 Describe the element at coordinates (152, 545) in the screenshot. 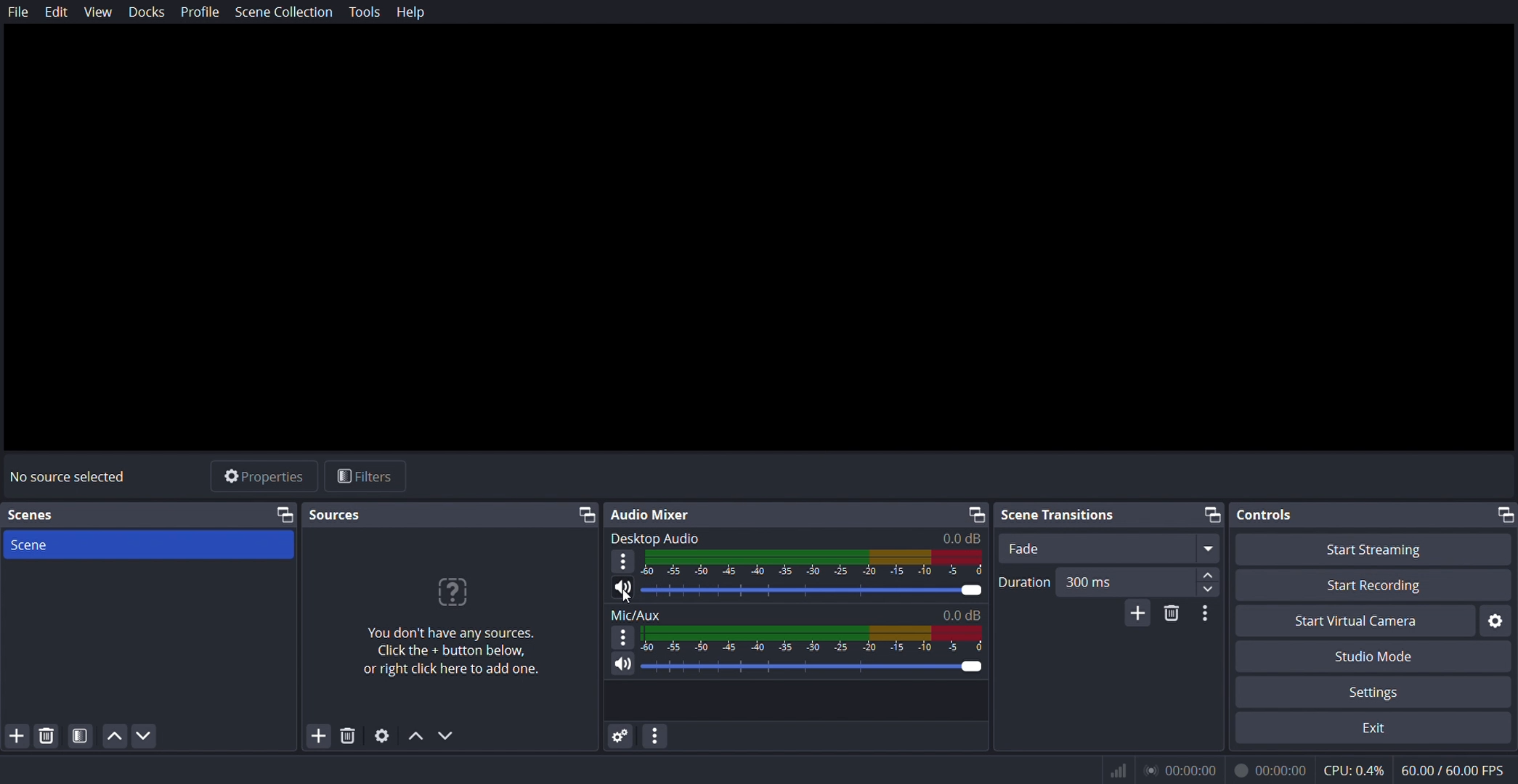

I see `scene` at that location.